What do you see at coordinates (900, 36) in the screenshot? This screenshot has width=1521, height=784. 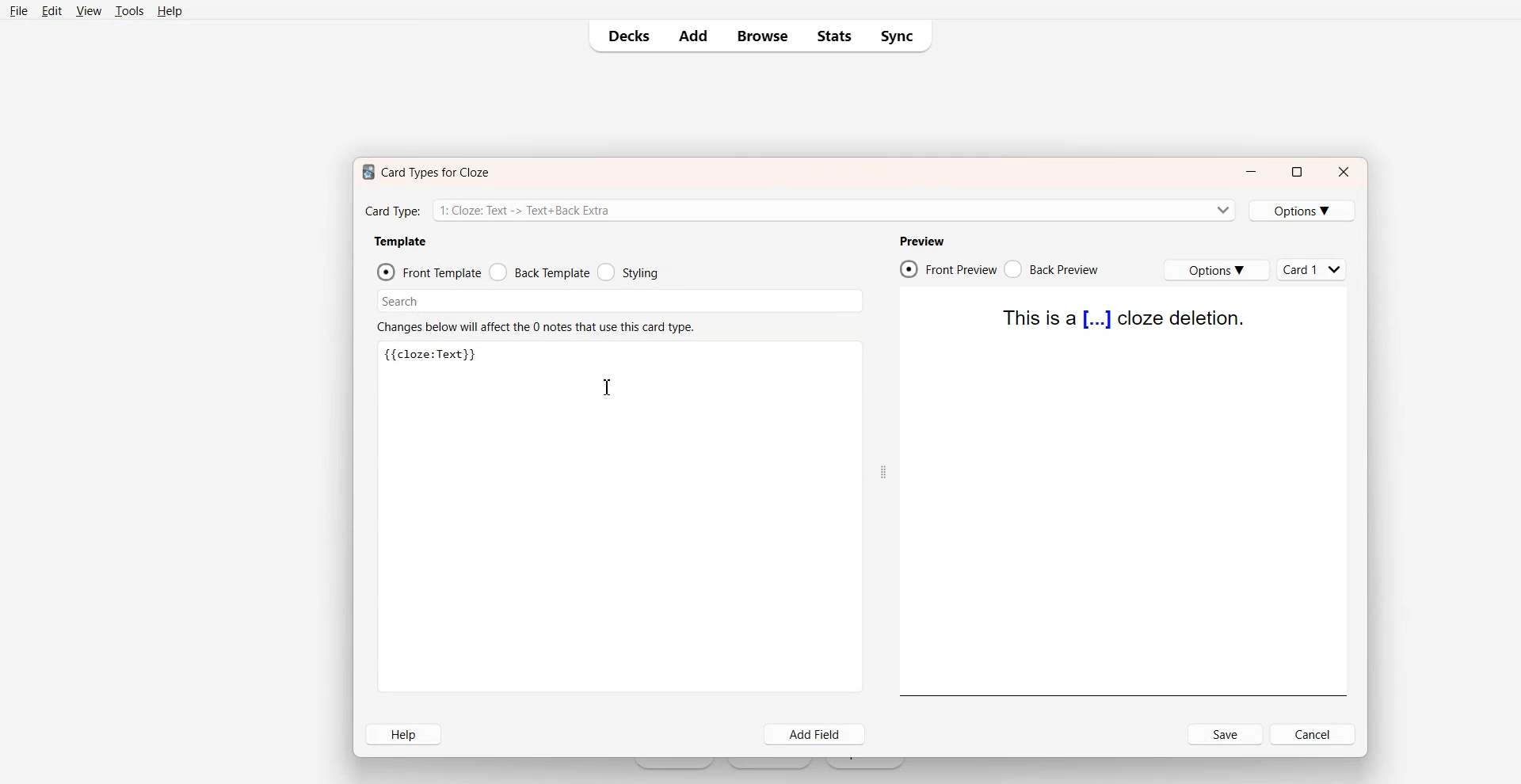 I see `Sync` at bounding box center [900, 36].